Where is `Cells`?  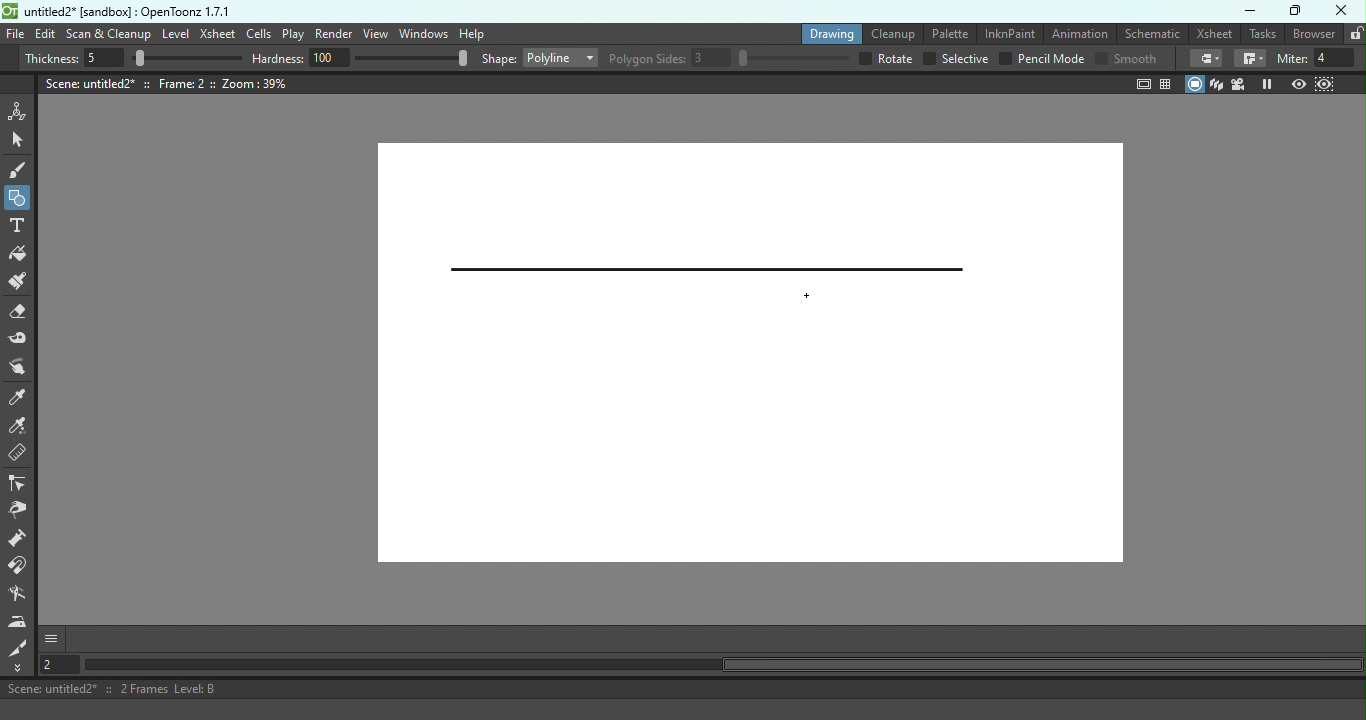 Cells is located at coordinates (258, 33).